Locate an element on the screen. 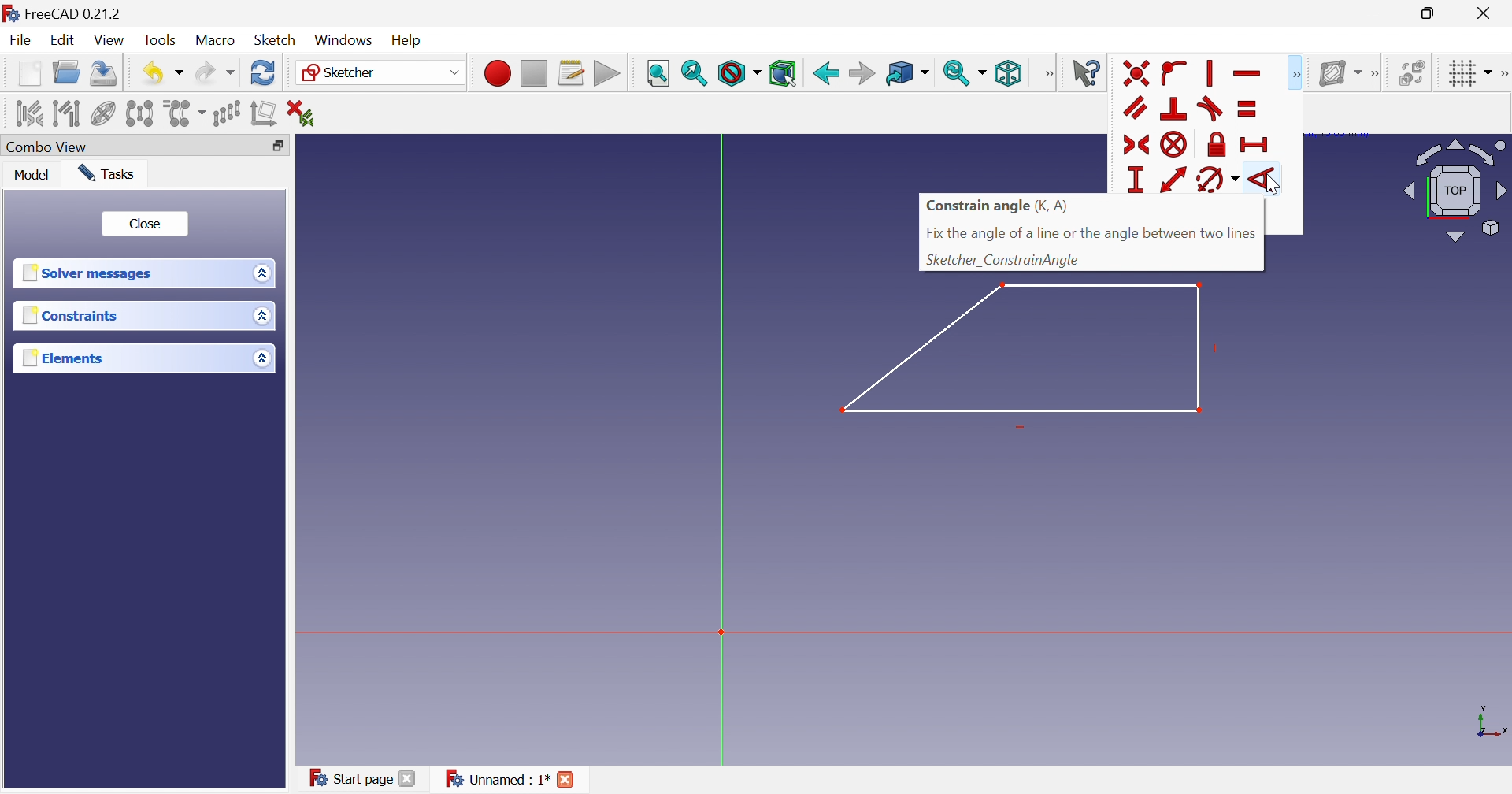  Unnamed : 1* is located at coordinates (497, 780).